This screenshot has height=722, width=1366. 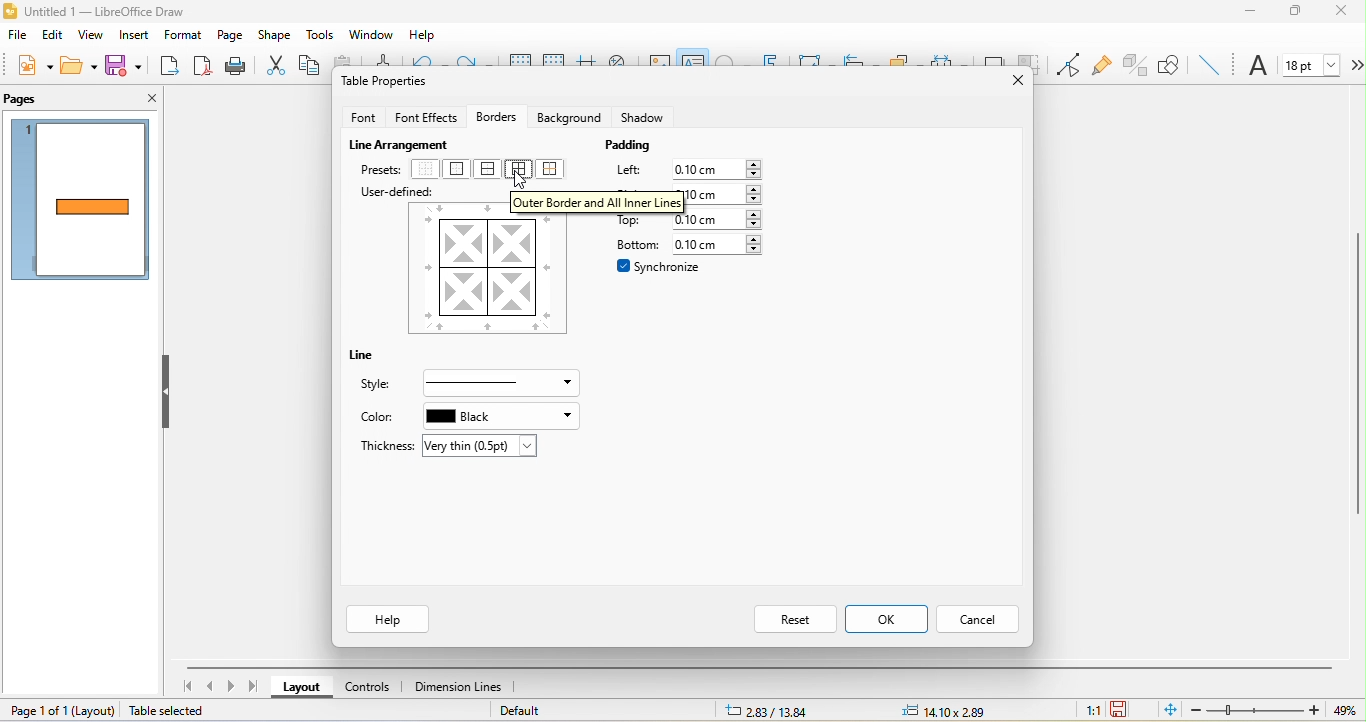 I want to click on first page, so click(x=187, y=687).